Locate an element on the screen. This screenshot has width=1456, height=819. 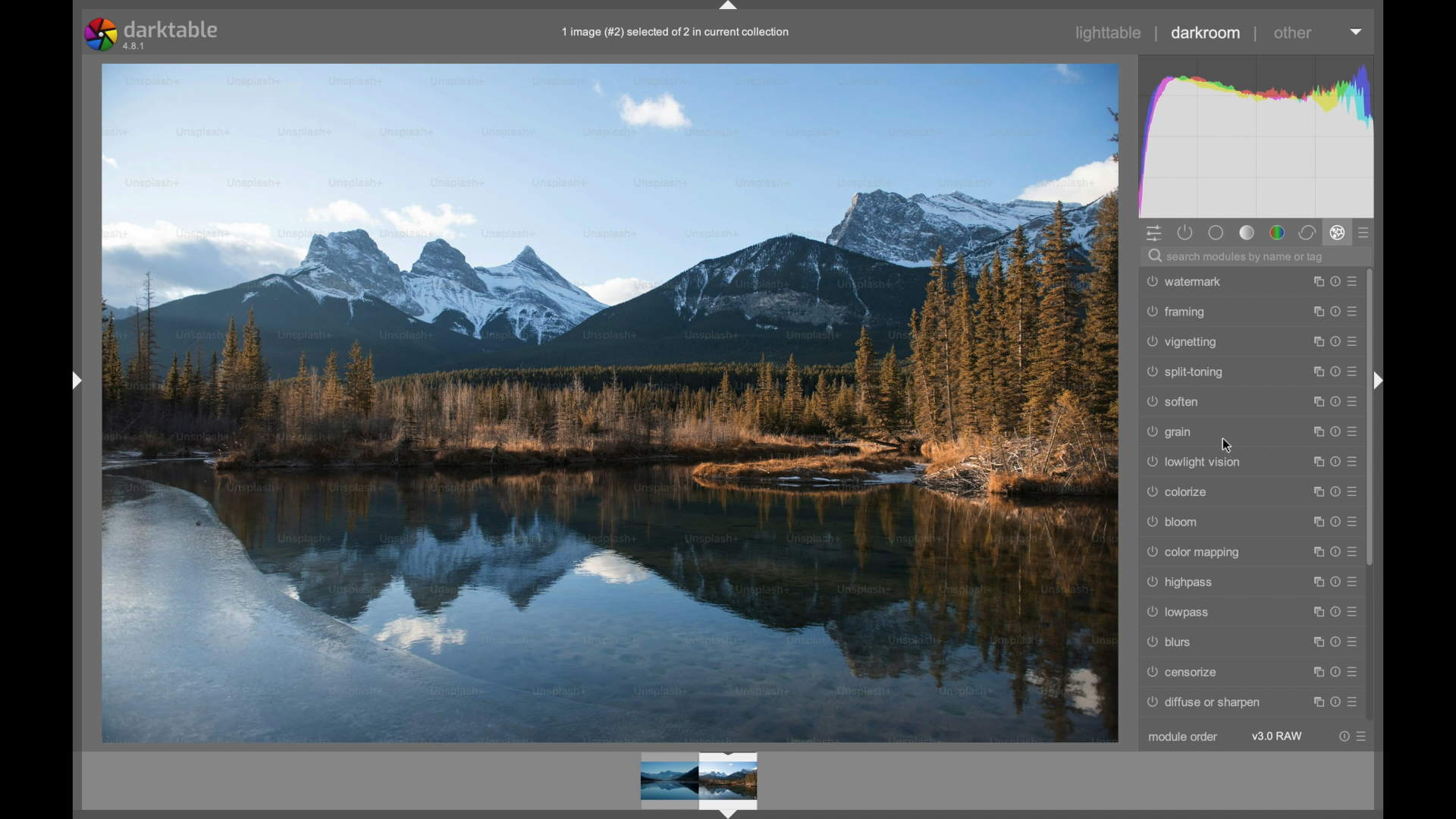
instance is located at coordinates (1314, 429).